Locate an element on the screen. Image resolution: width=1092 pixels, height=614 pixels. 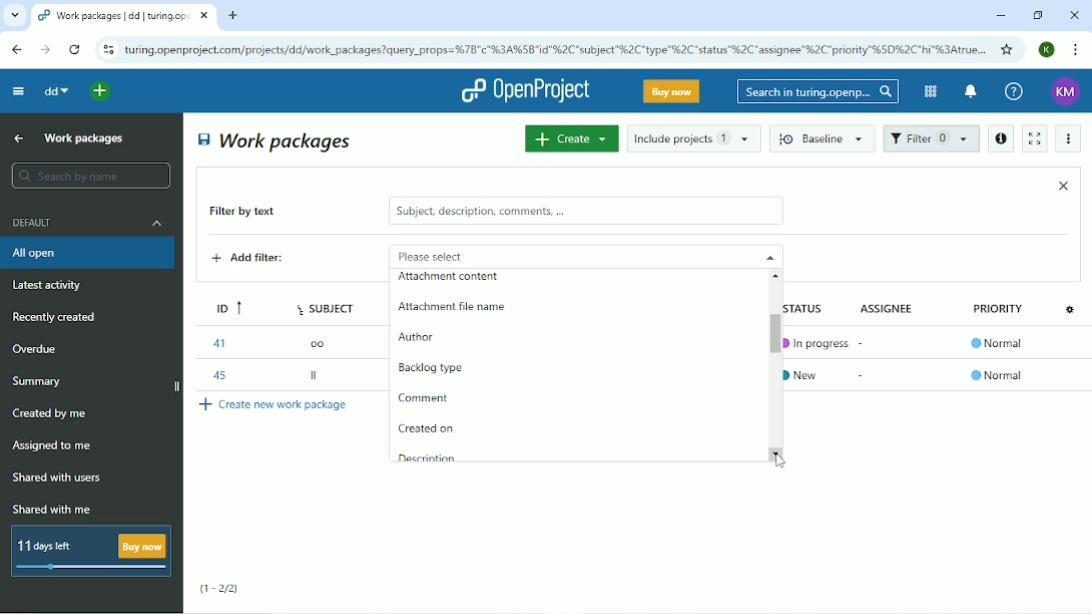
Subject is located at coordinates (328, 305).